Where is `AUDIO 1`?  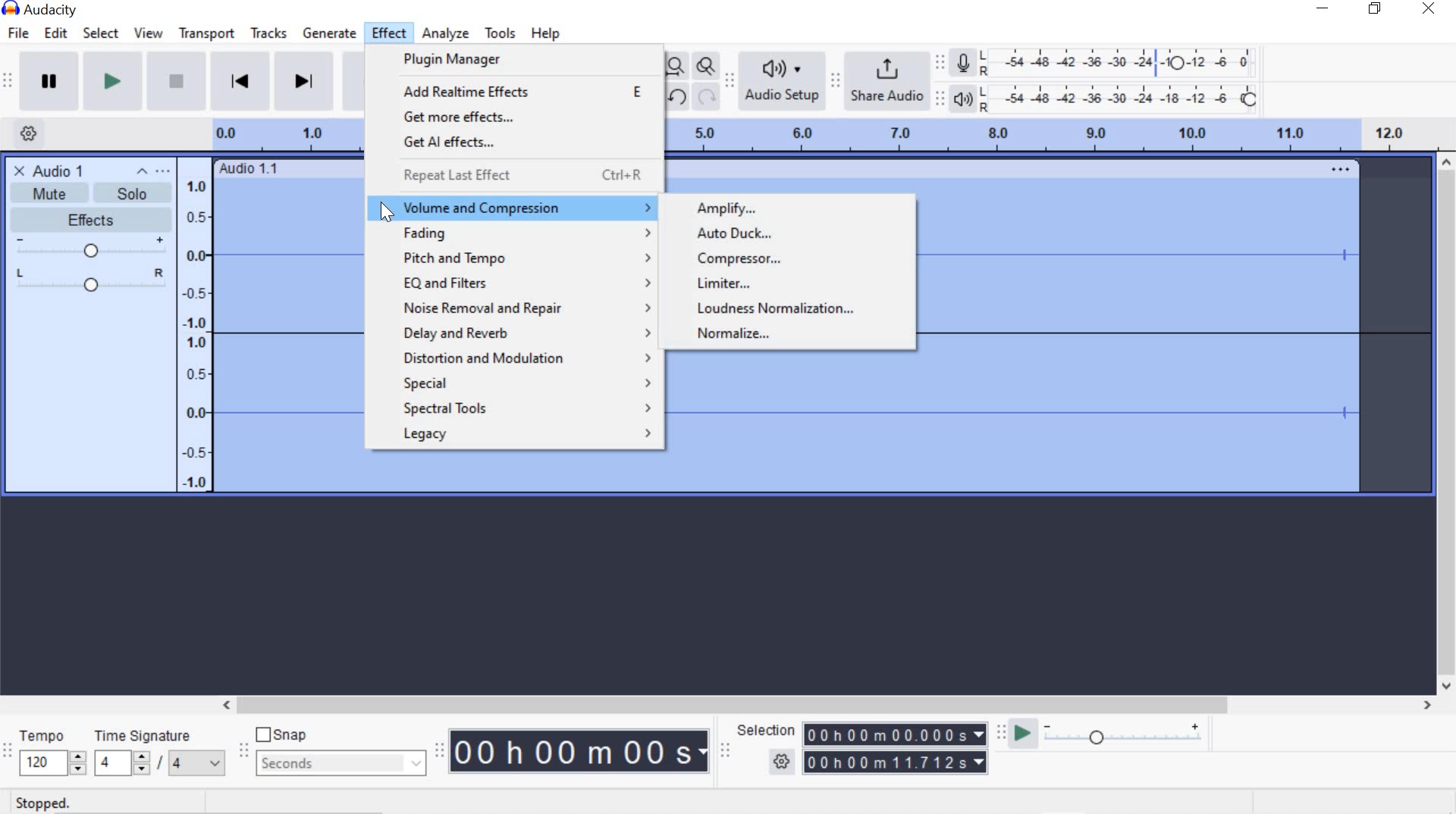 AUDIO 1 is located at coordinates (64, 170).